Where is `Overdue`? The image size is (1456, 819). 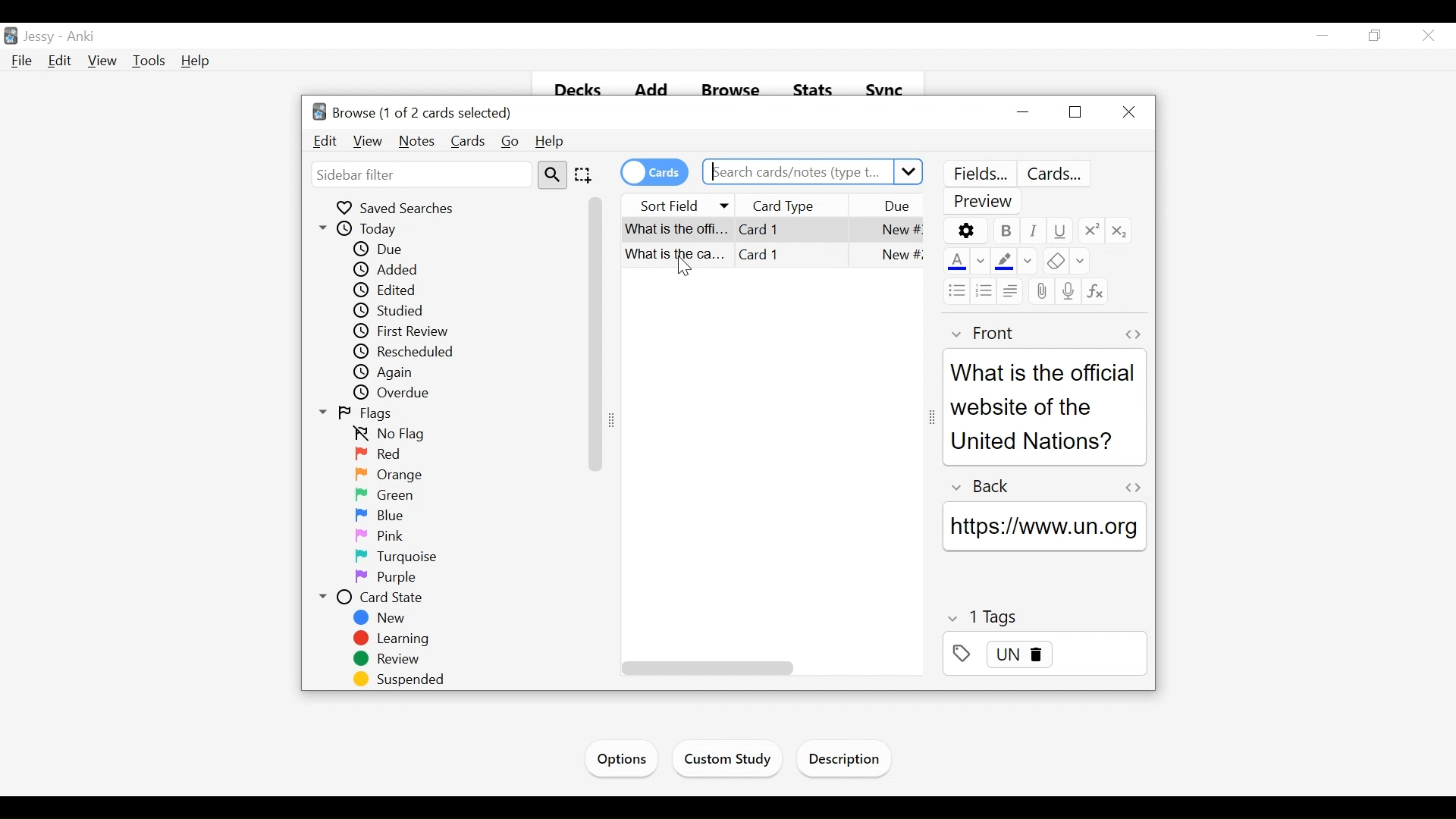 Overdue is located at coordinates (397, 393).